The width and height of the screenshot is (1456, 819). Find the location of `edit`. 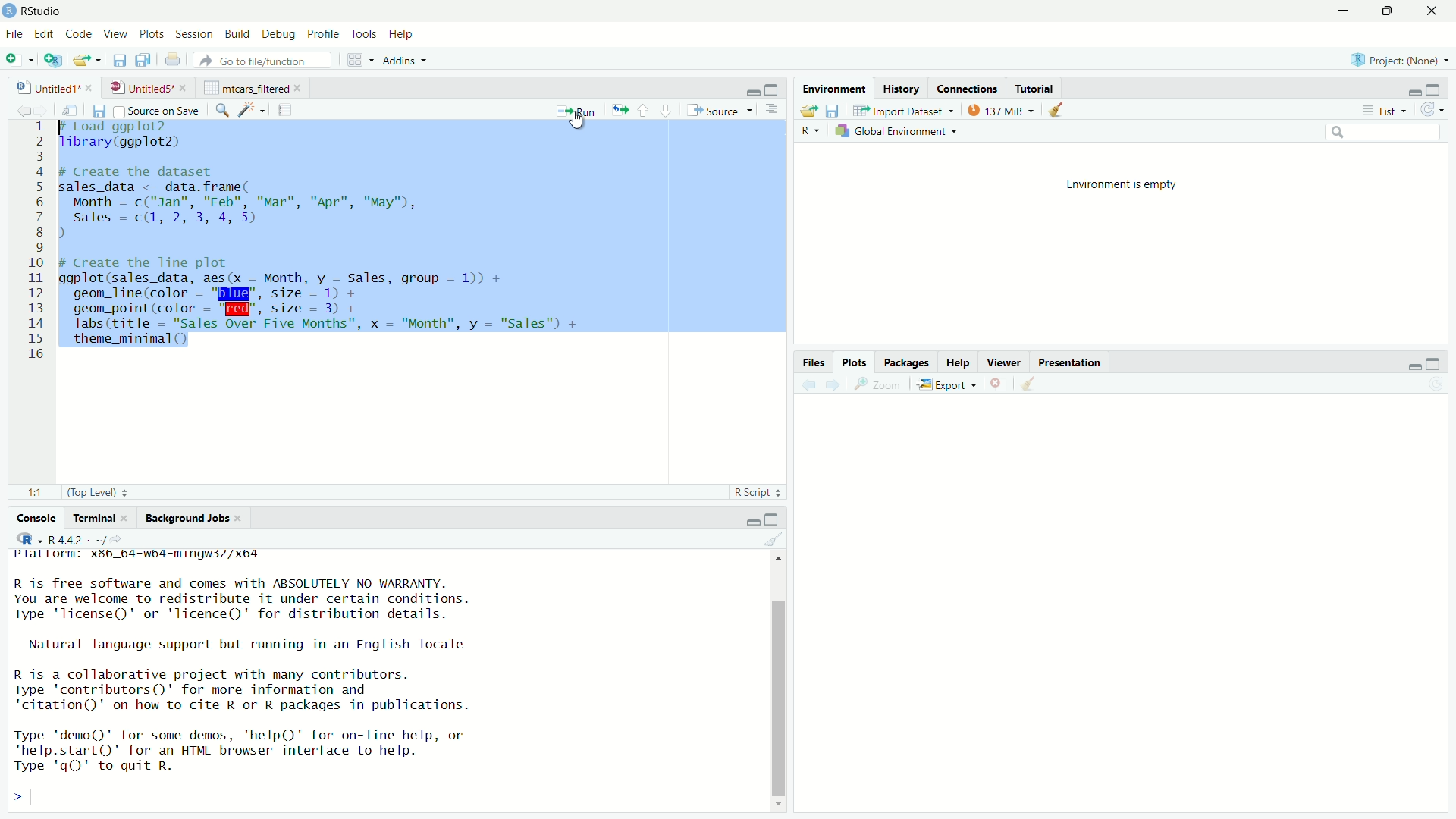

edit is located at coordinates (45, 34).